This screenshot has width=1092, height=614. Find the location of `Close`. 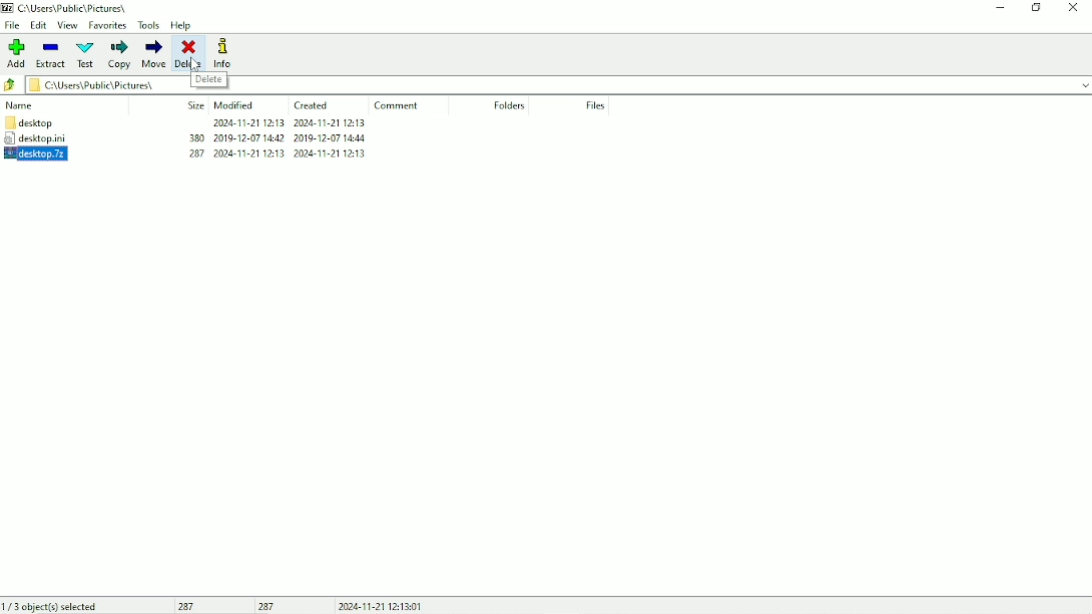

Close is located at coordinates (1073, 7).